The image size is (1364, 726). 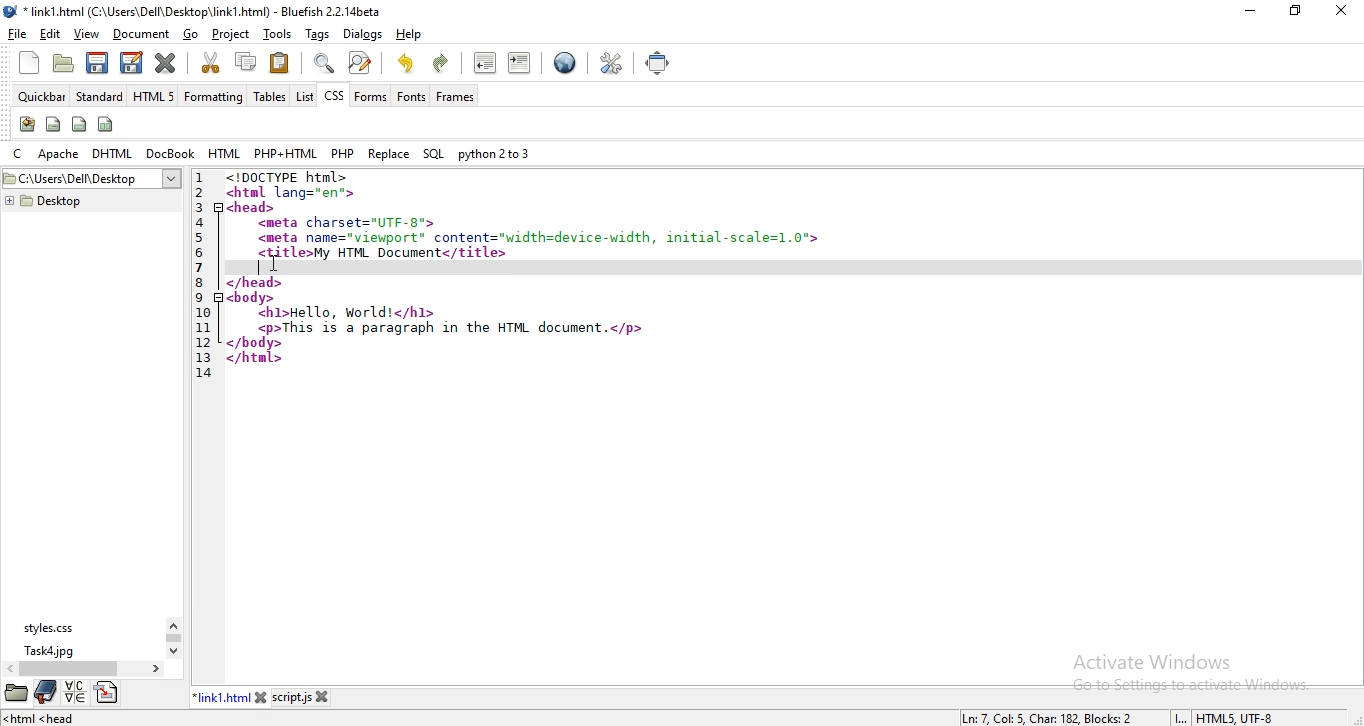 I want to click on create stylesheet, so click(x=27, y=124).